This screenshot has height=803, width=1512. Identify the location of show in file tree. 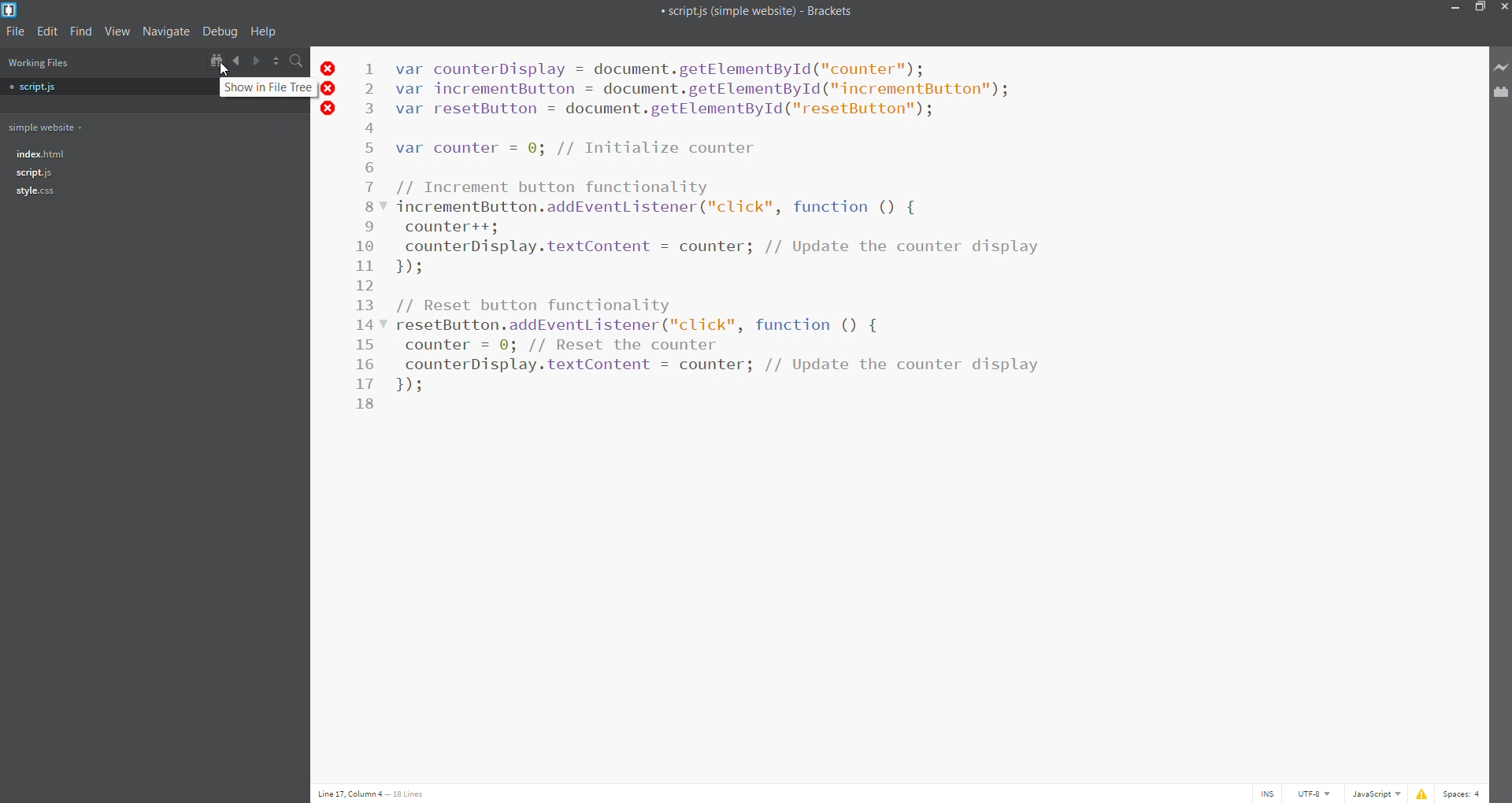
(268, 87).